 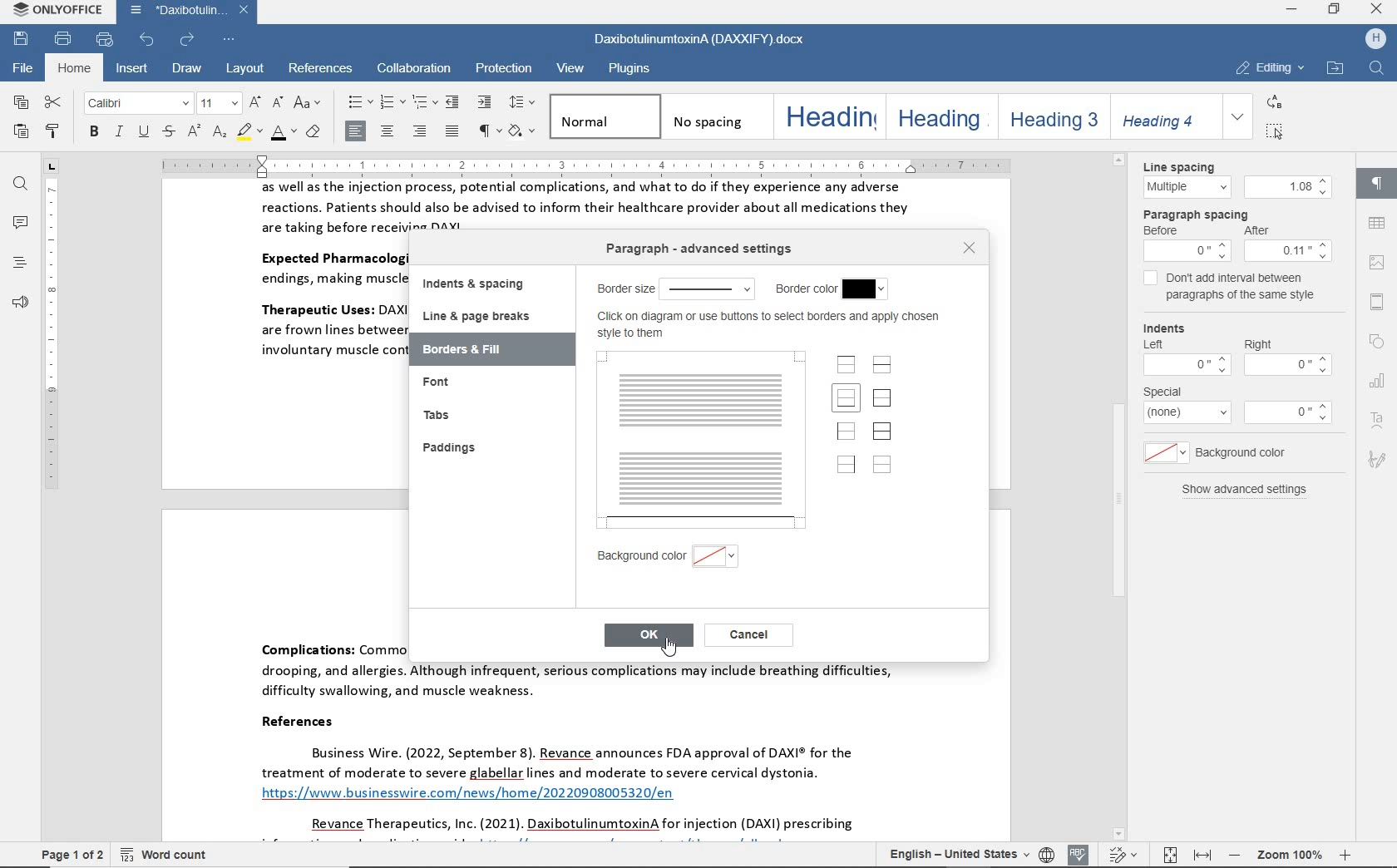 I want to click on border color, so click(x=830, y=289).